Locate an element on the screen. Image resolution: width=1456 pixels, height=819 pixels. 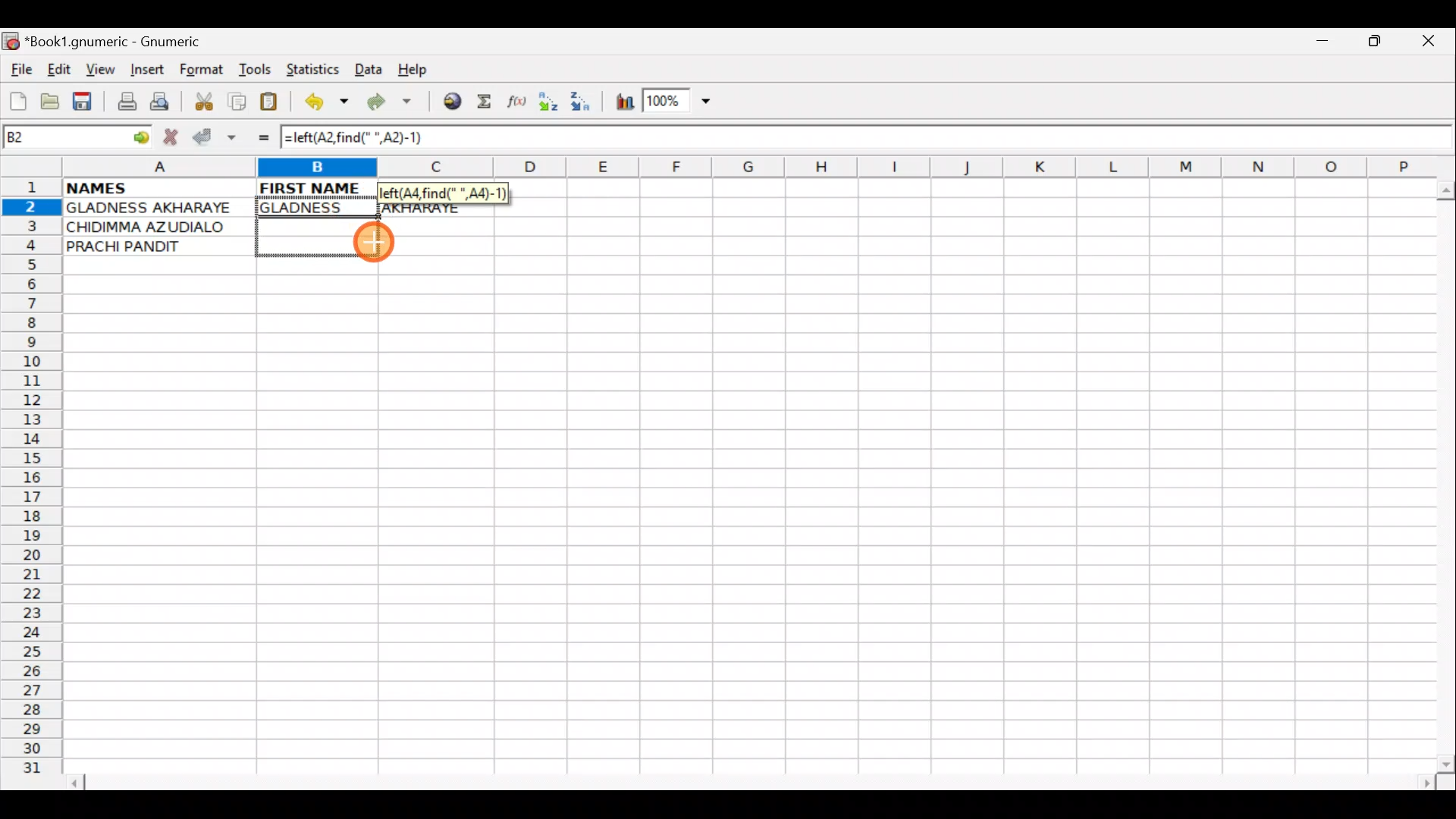
Enter formula is located at coordinates (256, 137).